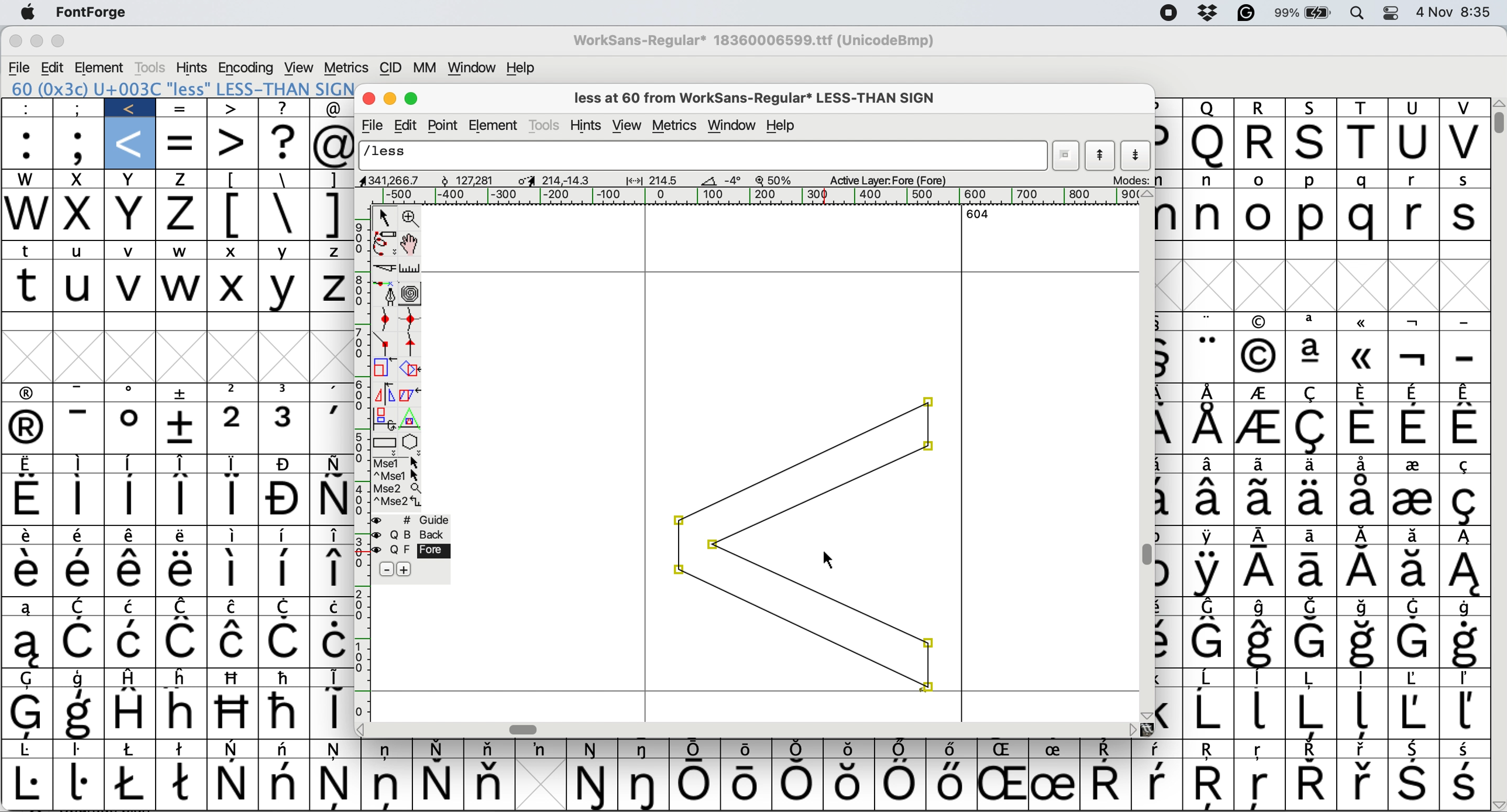  I want to click on Symbol, so click(1414, 394).